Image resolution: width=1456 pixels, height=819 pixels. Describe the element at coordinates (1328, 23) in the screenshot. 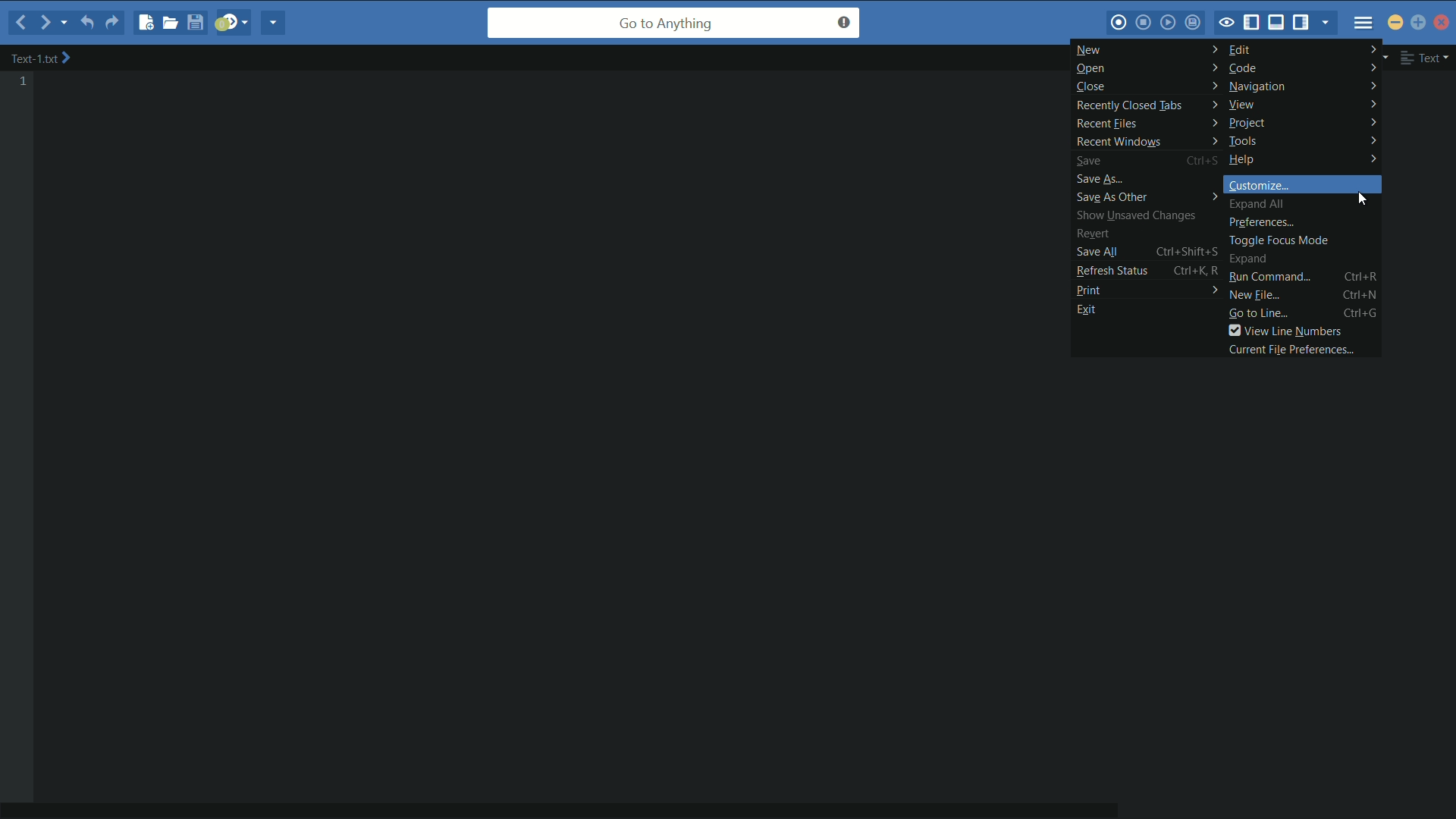

I see `show specific tab/sidebar` at that location.